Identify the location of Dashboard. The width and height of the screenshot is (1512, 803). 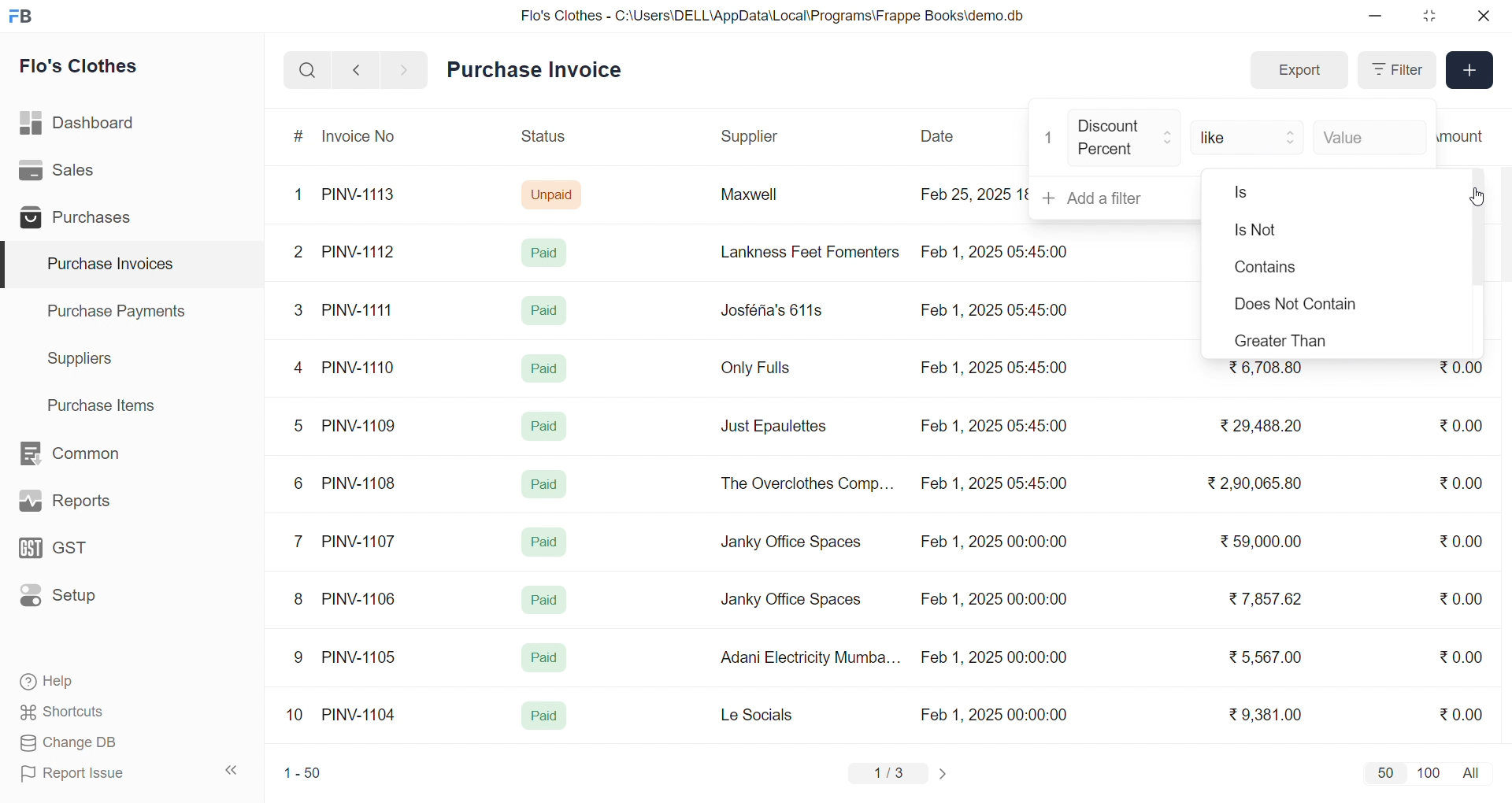
(82, 126).